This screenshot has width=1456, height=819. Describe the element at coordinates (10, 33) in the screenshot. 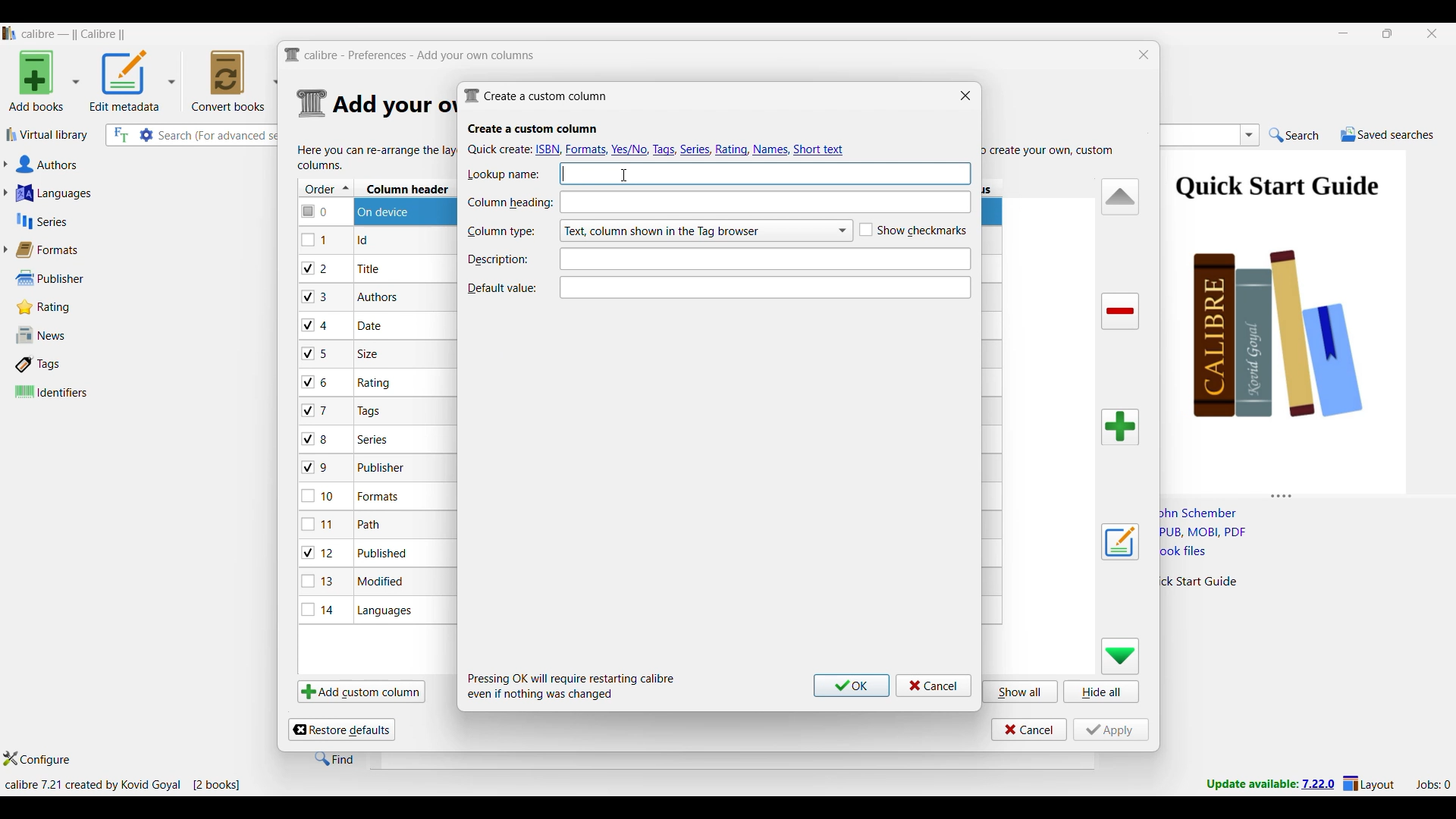

I see `Software logo` at that location.